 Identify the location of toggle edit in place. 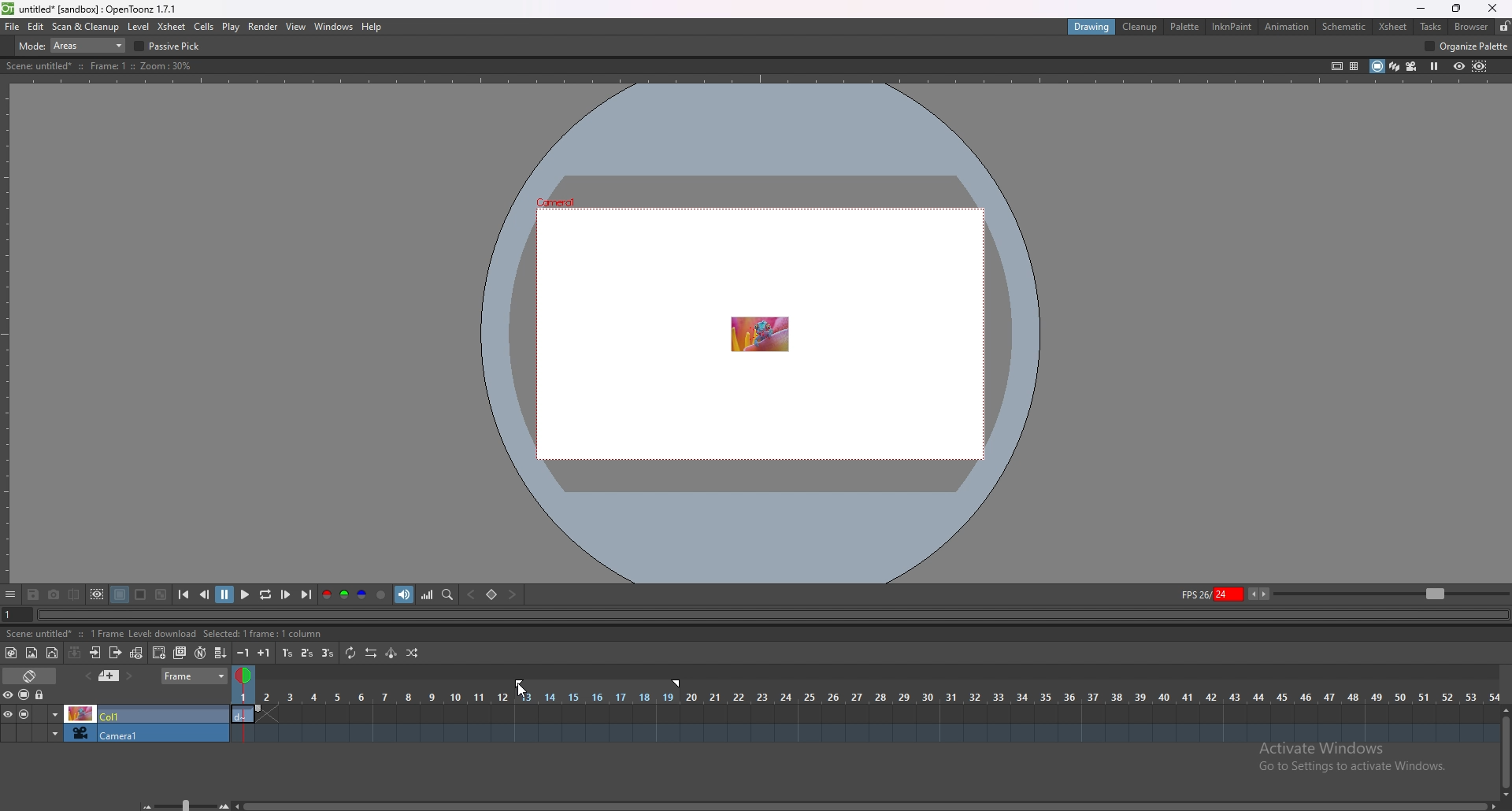
(138, 654).